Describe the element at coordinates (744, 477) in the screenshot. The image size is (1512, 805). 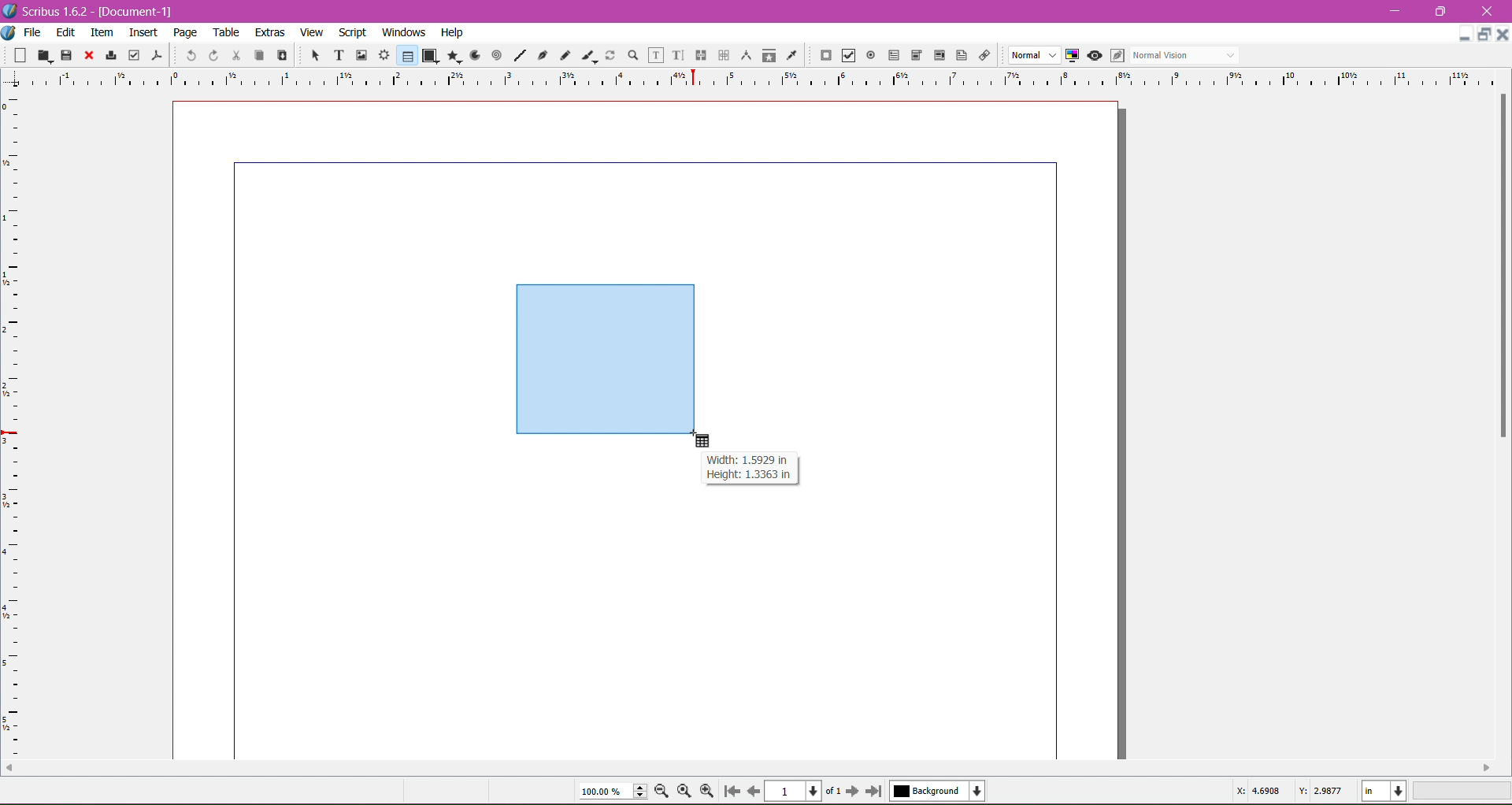
I see `Height: 1.3363 in` at that location.